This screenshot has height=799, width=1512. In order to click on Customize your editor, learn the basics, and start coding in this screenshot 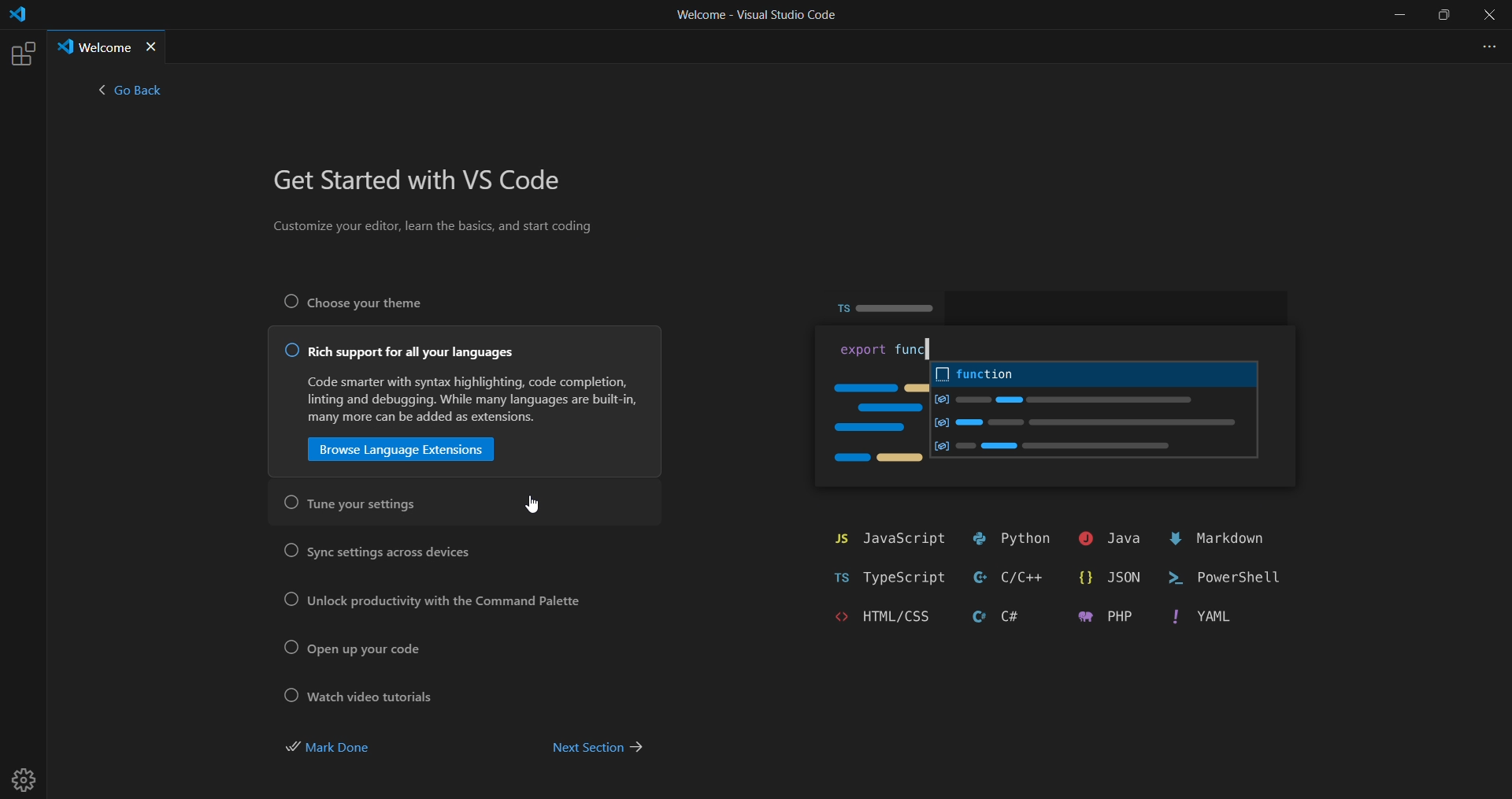, I will do `click(436, 229)`.